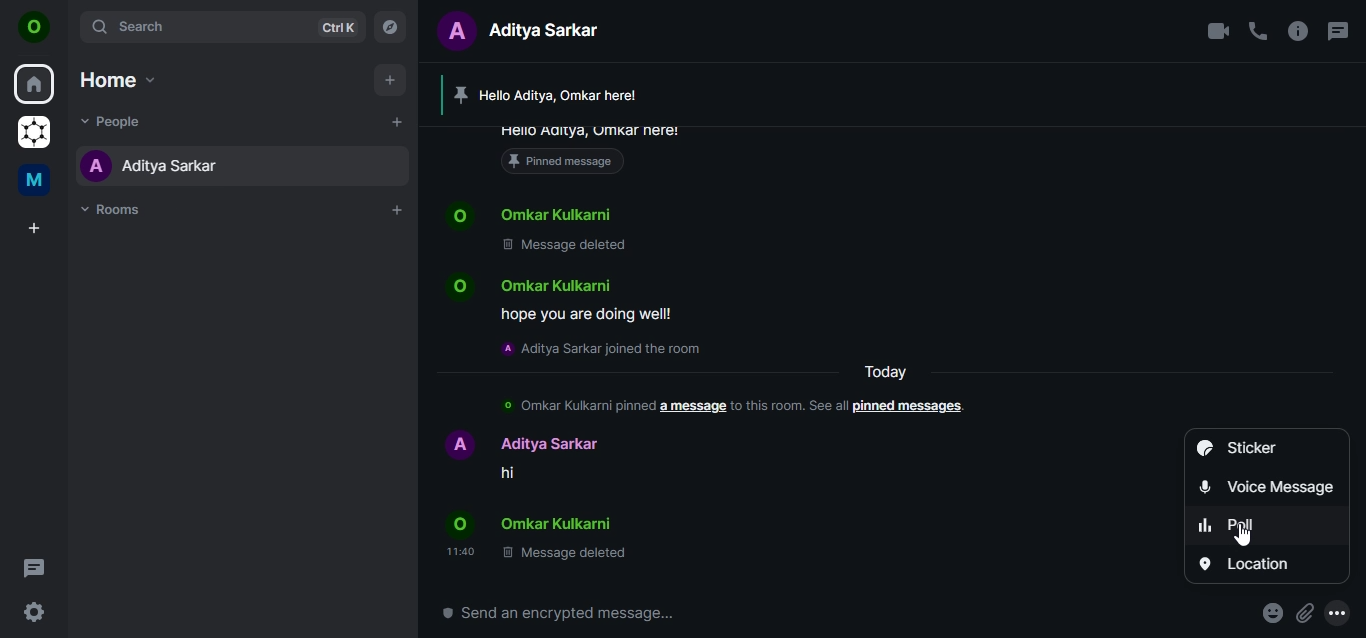  What do you see at coordinates (1262, 565) in the screenshot?
I see `location` at bounding box center [1262, 565].